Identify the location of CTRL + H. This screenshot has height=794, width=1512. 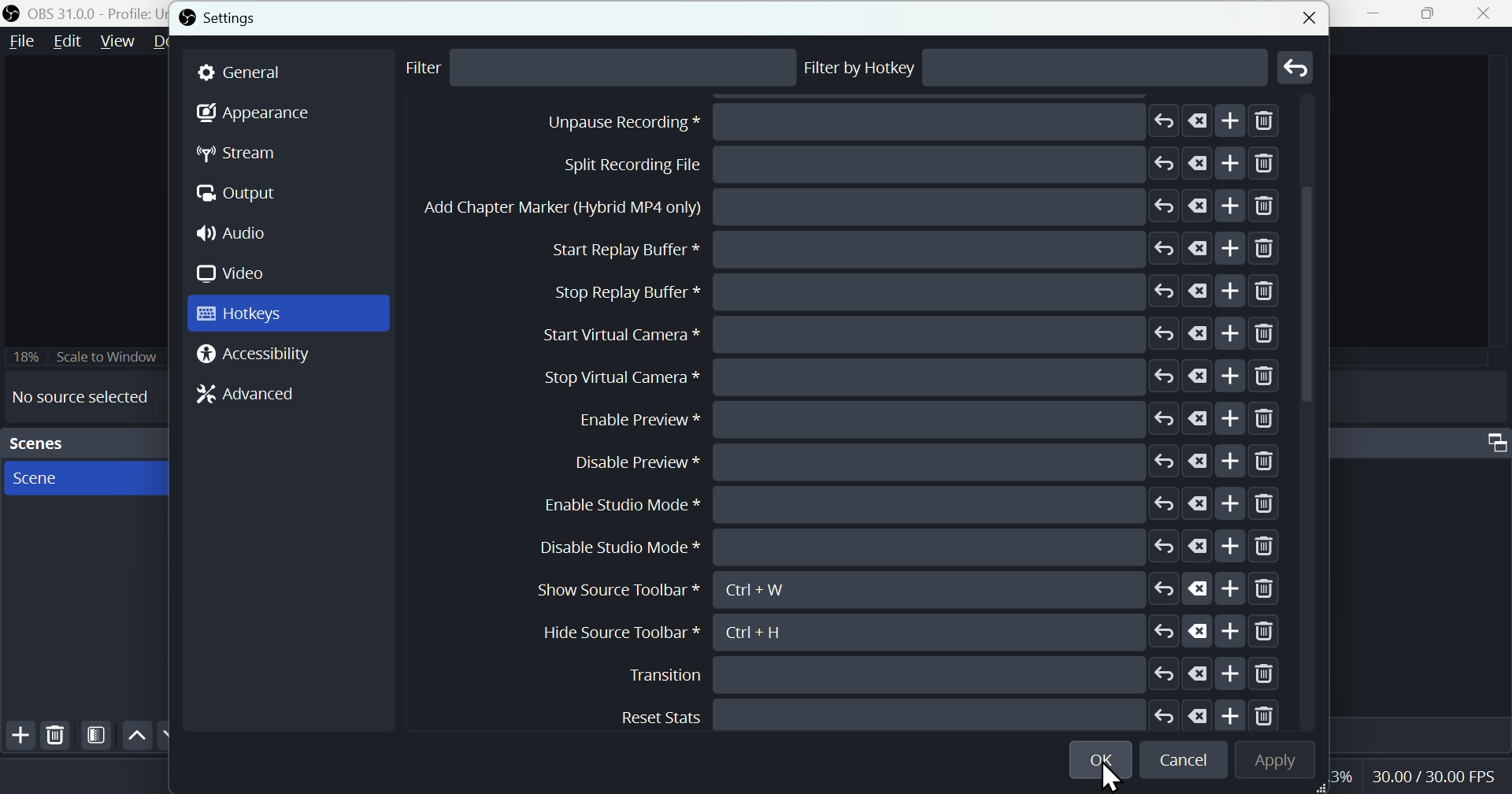
(769, 632).